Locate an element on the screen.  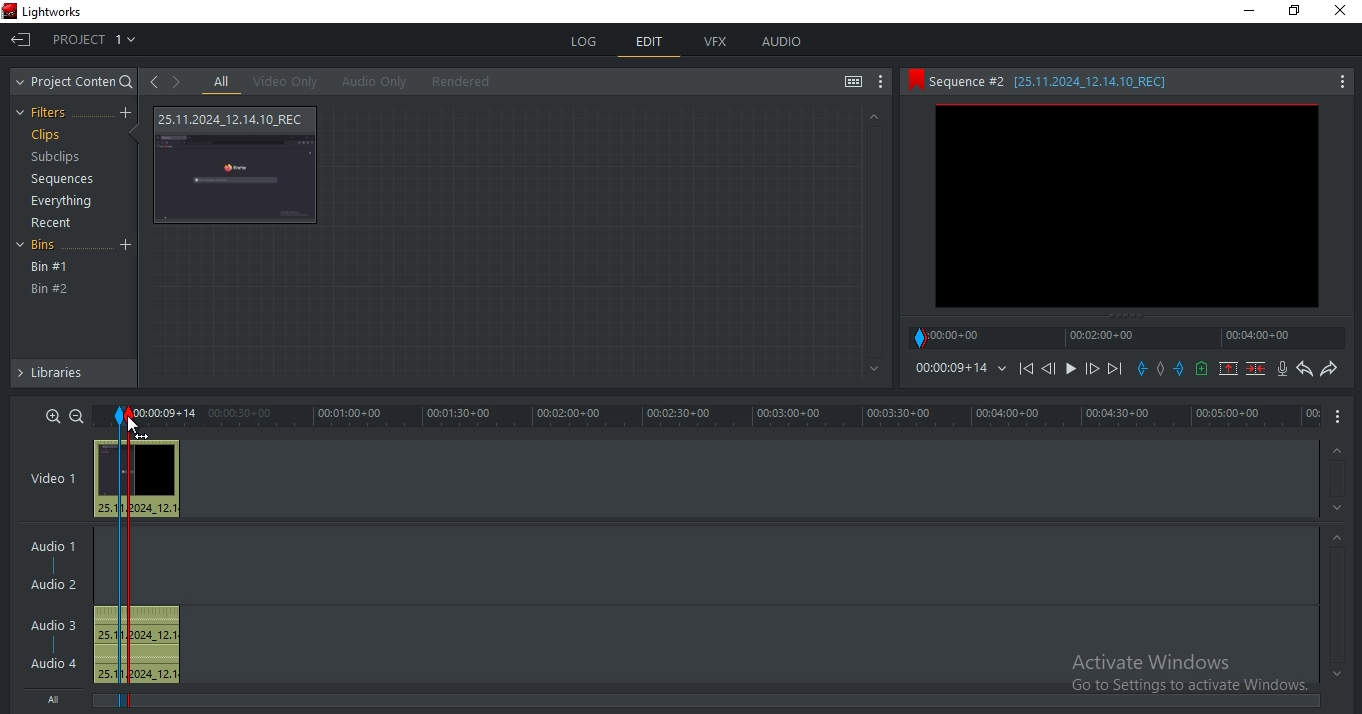
clip is located at coordinates (1126, 206).